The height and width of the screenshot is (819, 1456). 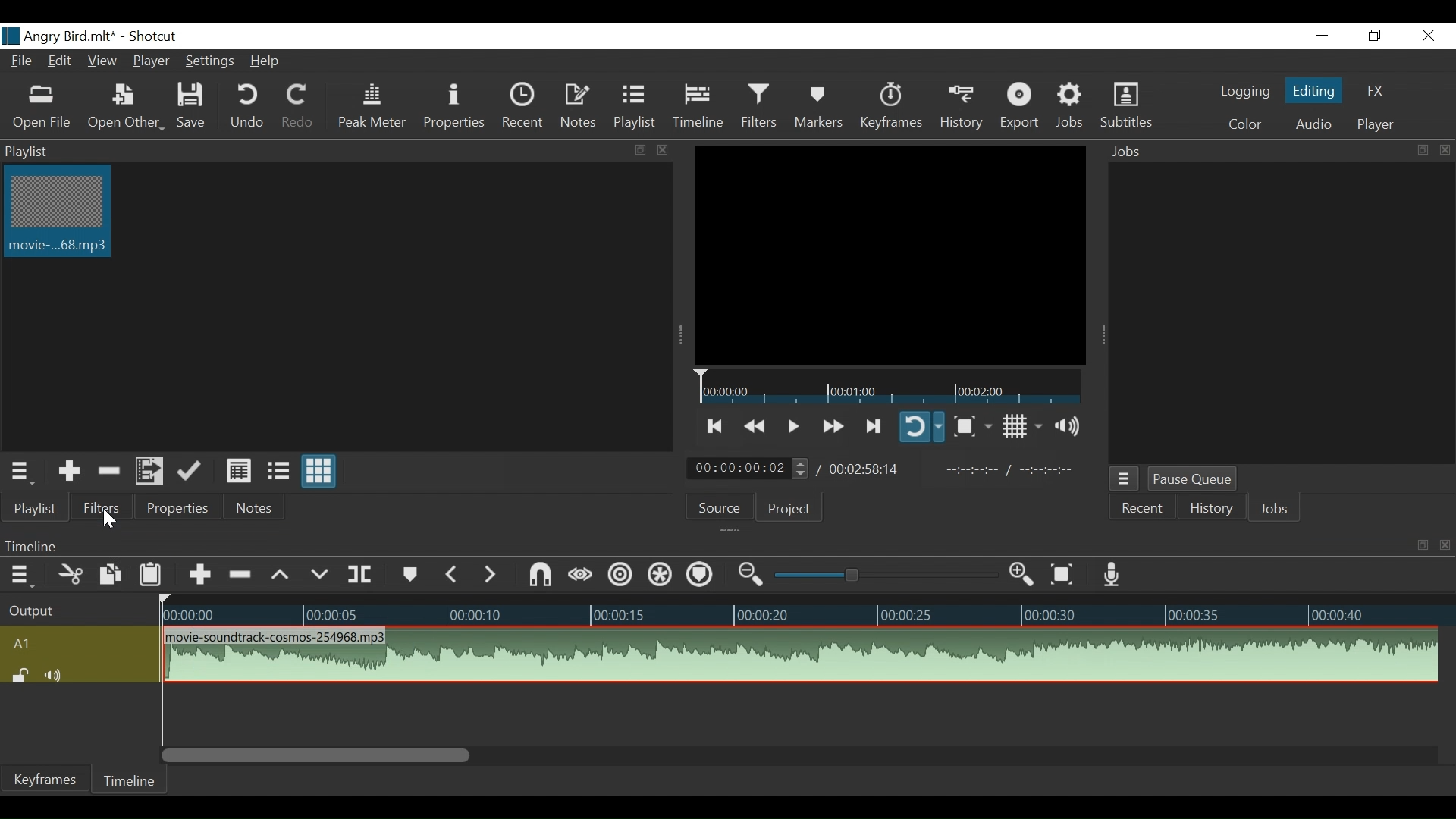 What do you see at coordinates (1314, 88) in the screenshot?
I see `Editing` at bounding box center [1314, 88].